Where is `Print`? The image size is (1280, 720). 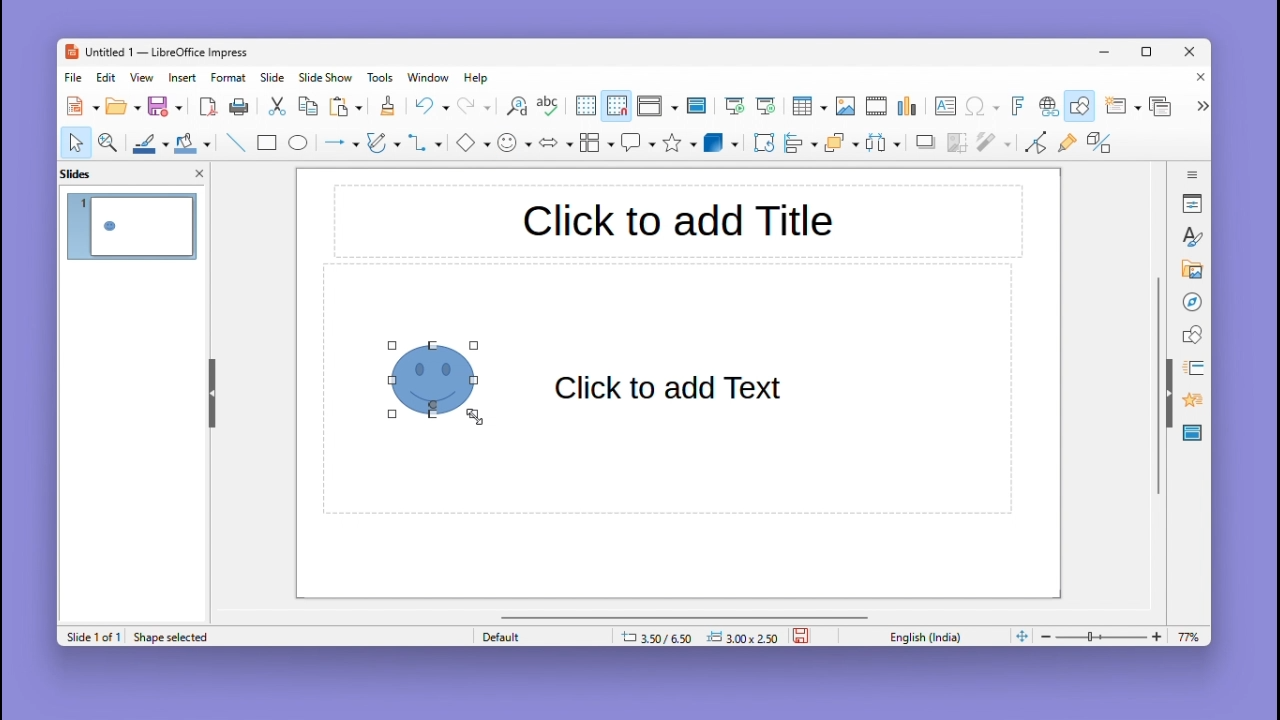
Print is located at coordinates (239, 107).